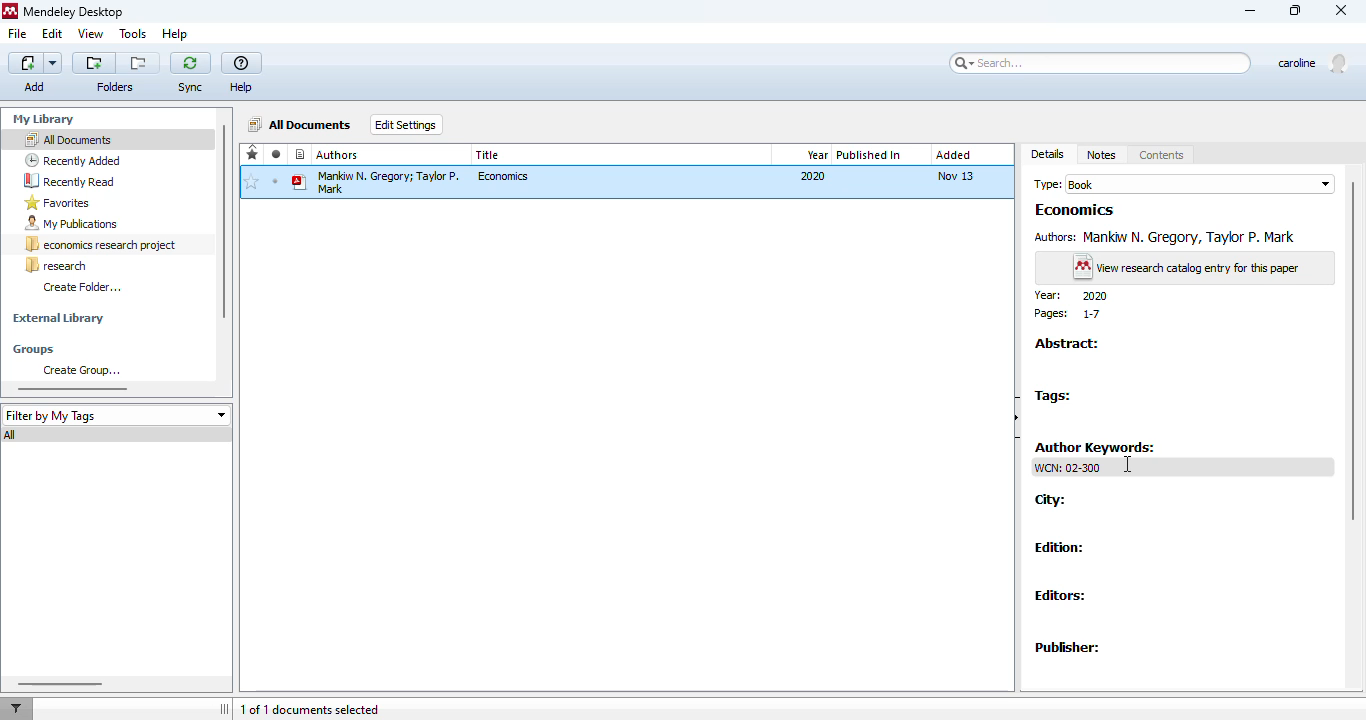  What do you see at coordinates (13, 435) in the screenshot?
I see `all` at bounding box center [13, 435].